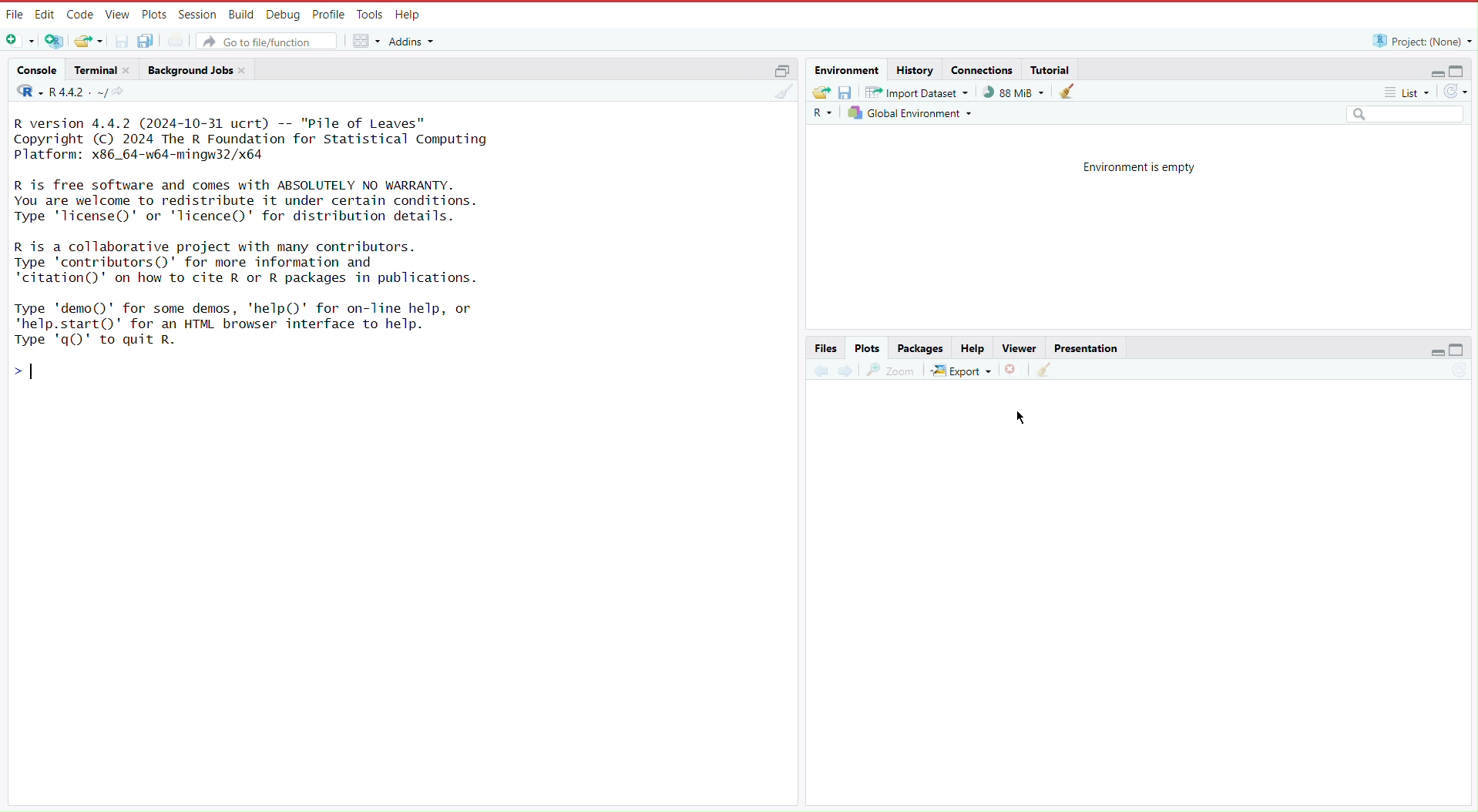  What do you see at coordinates (25, 93) in the screenshot?
I see `R` at bounding box center [25, 93].